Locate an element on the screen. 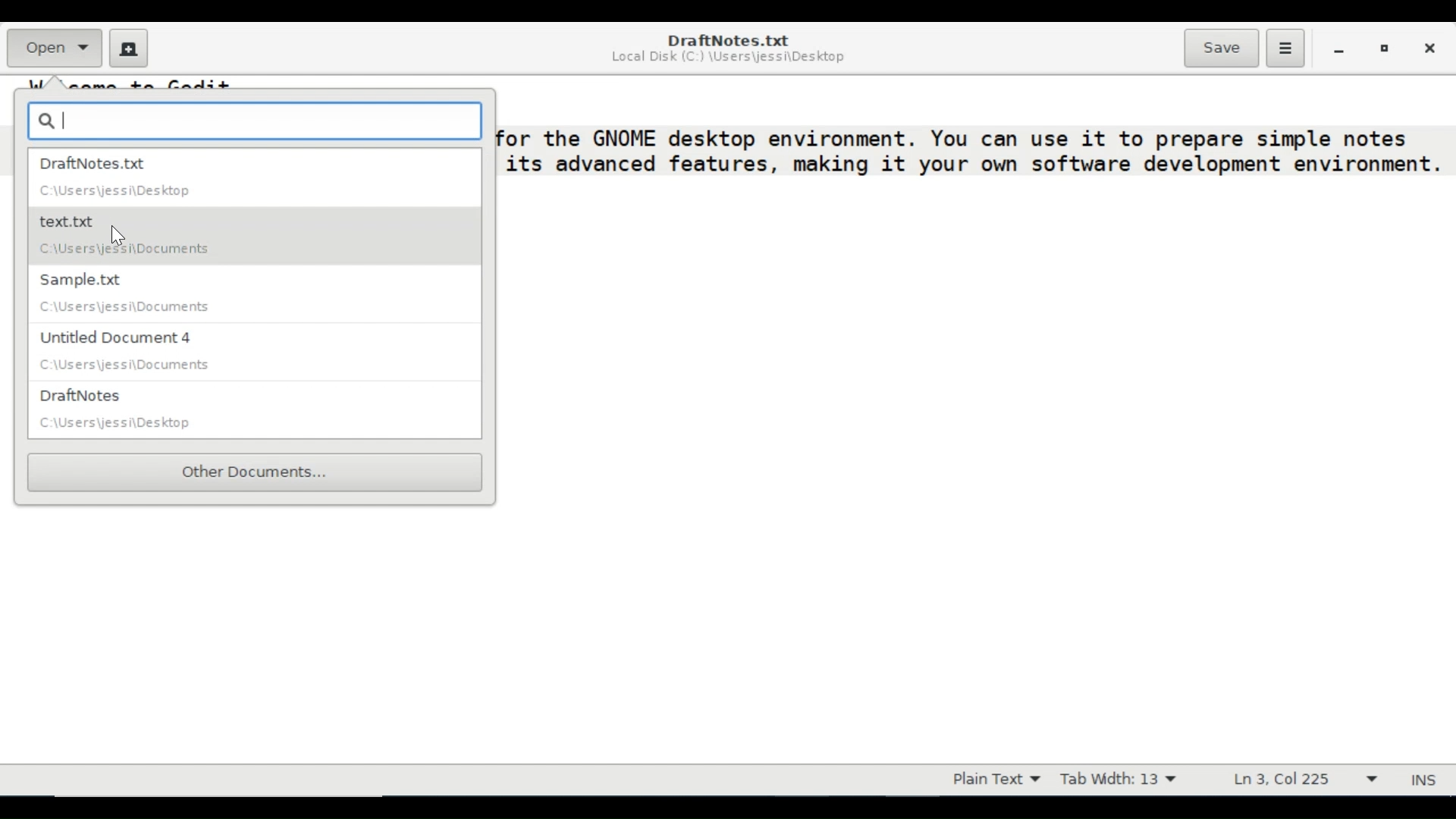 This screenshot has width=1456, height=819. Create New is located at coordinates (129, 48).